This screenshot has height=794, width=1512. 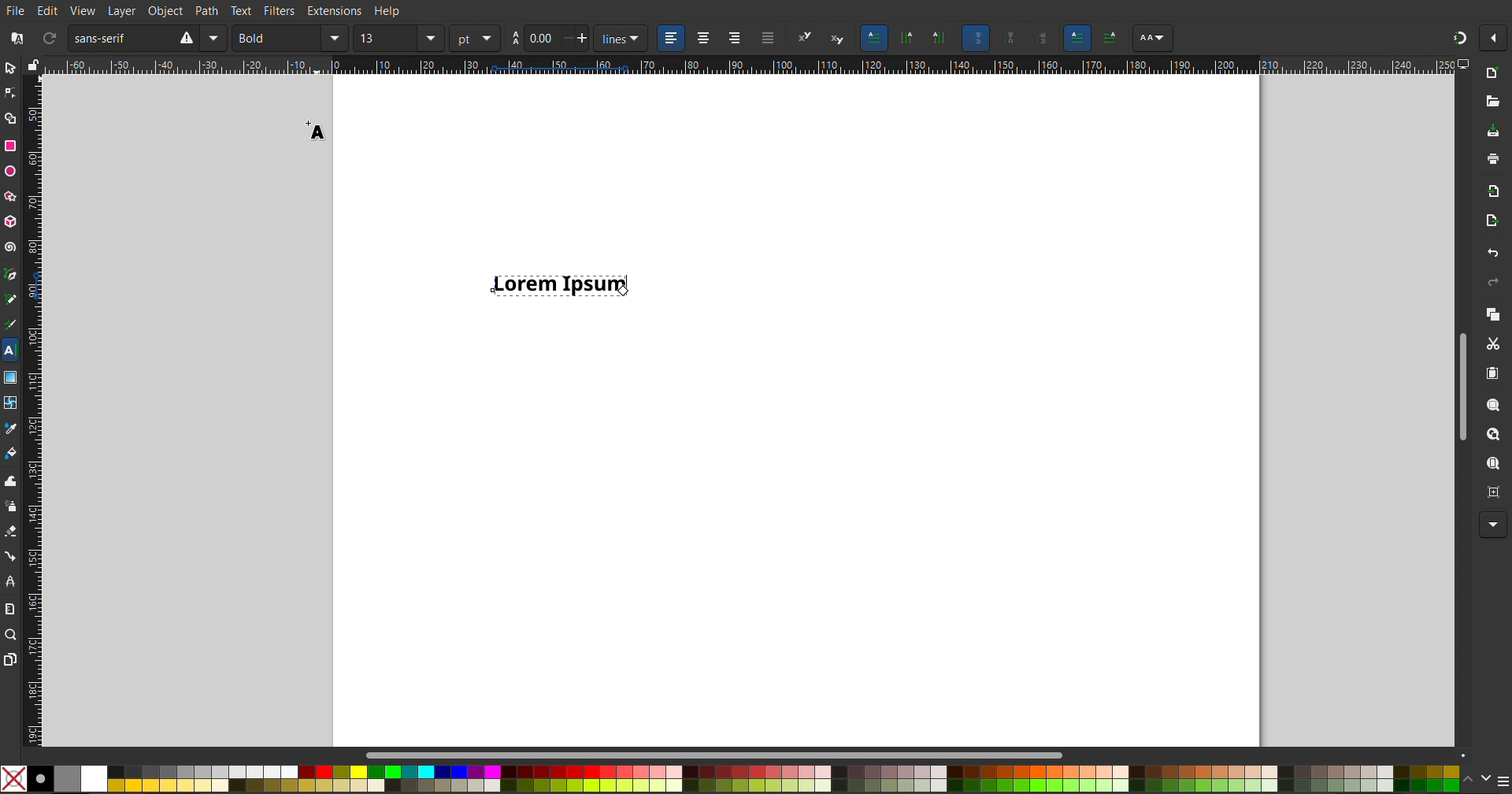 What do you see at coordinates (1492, 100) in the screenshot?
I see `Open` at bounding box center [1492, 100].